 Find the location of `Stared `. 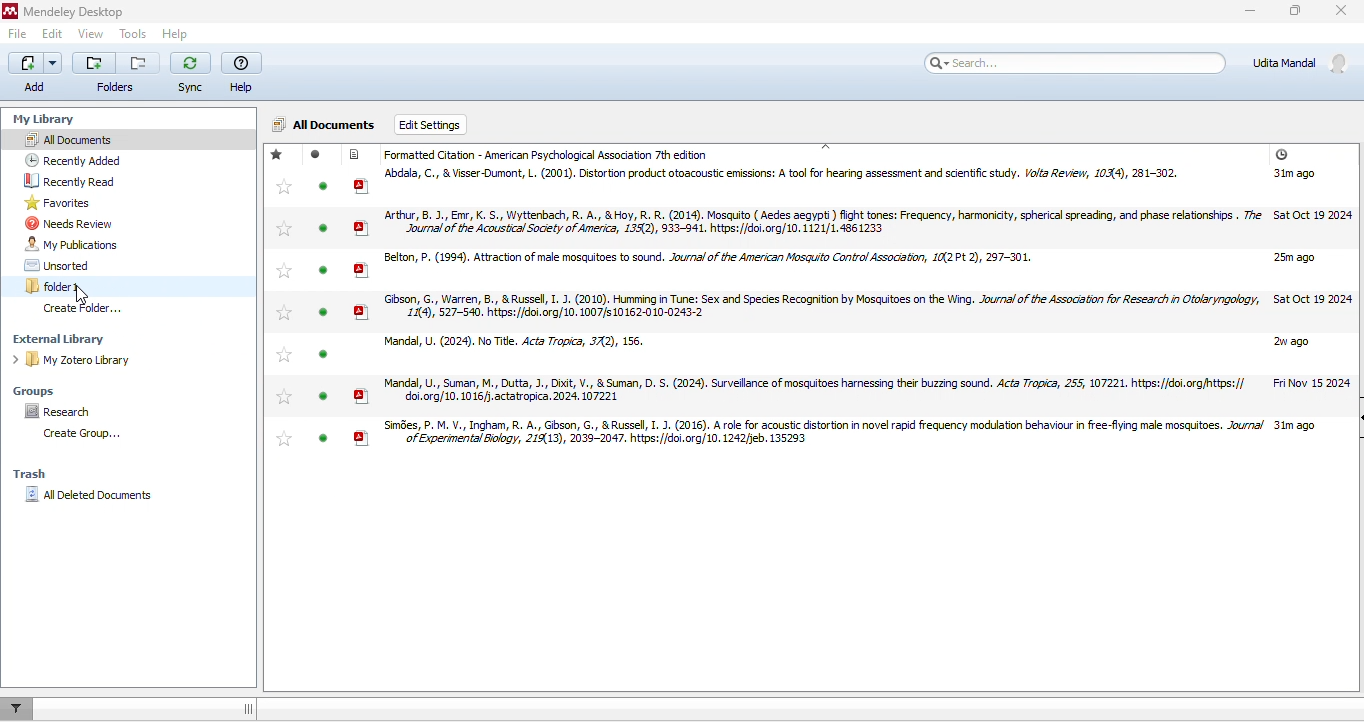

Stared  is located at coordinates (281, 296).